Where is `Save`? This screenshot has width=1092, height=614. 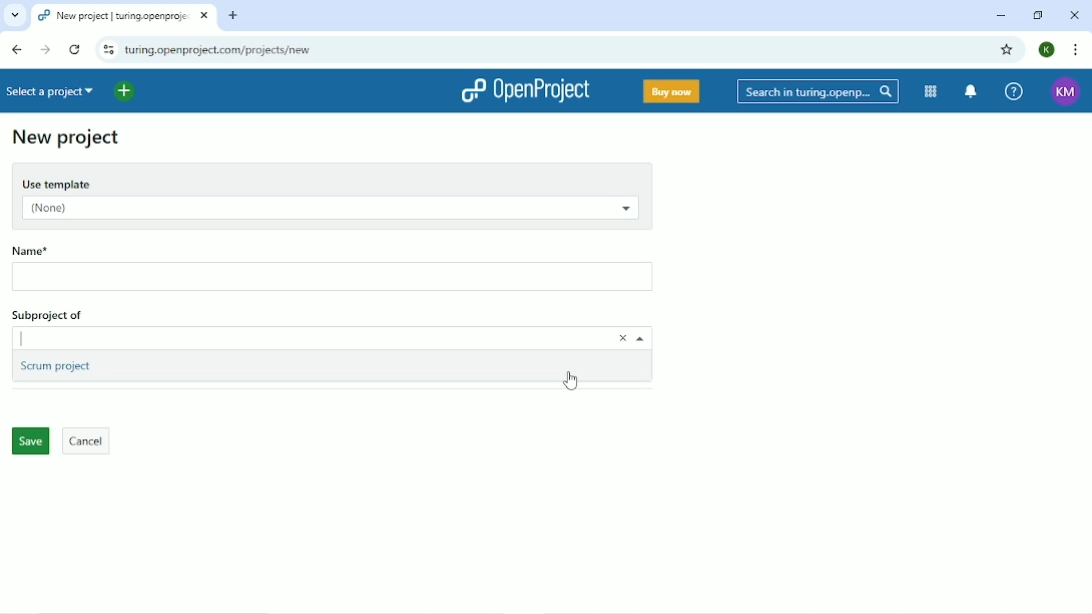
Save is located at coordinates (29, 442).